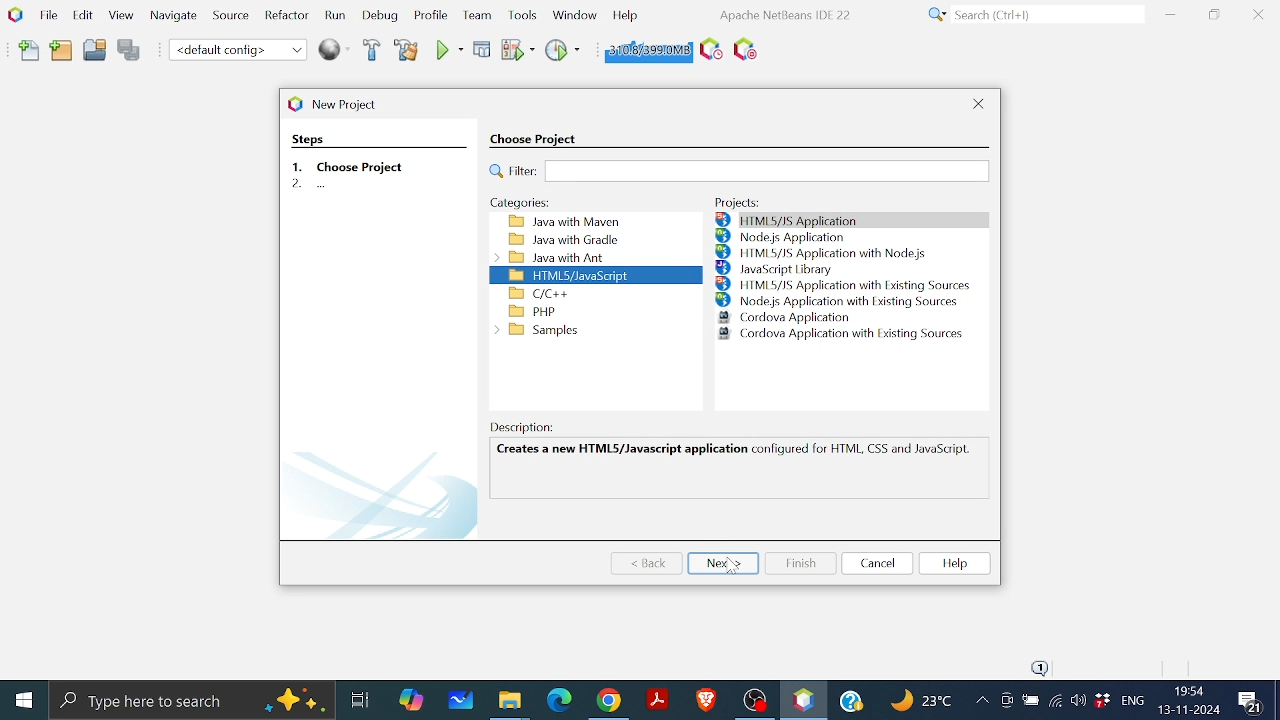  Describe the element at coordinates (625, 14) in the screenshot. I see `Help` at that location.